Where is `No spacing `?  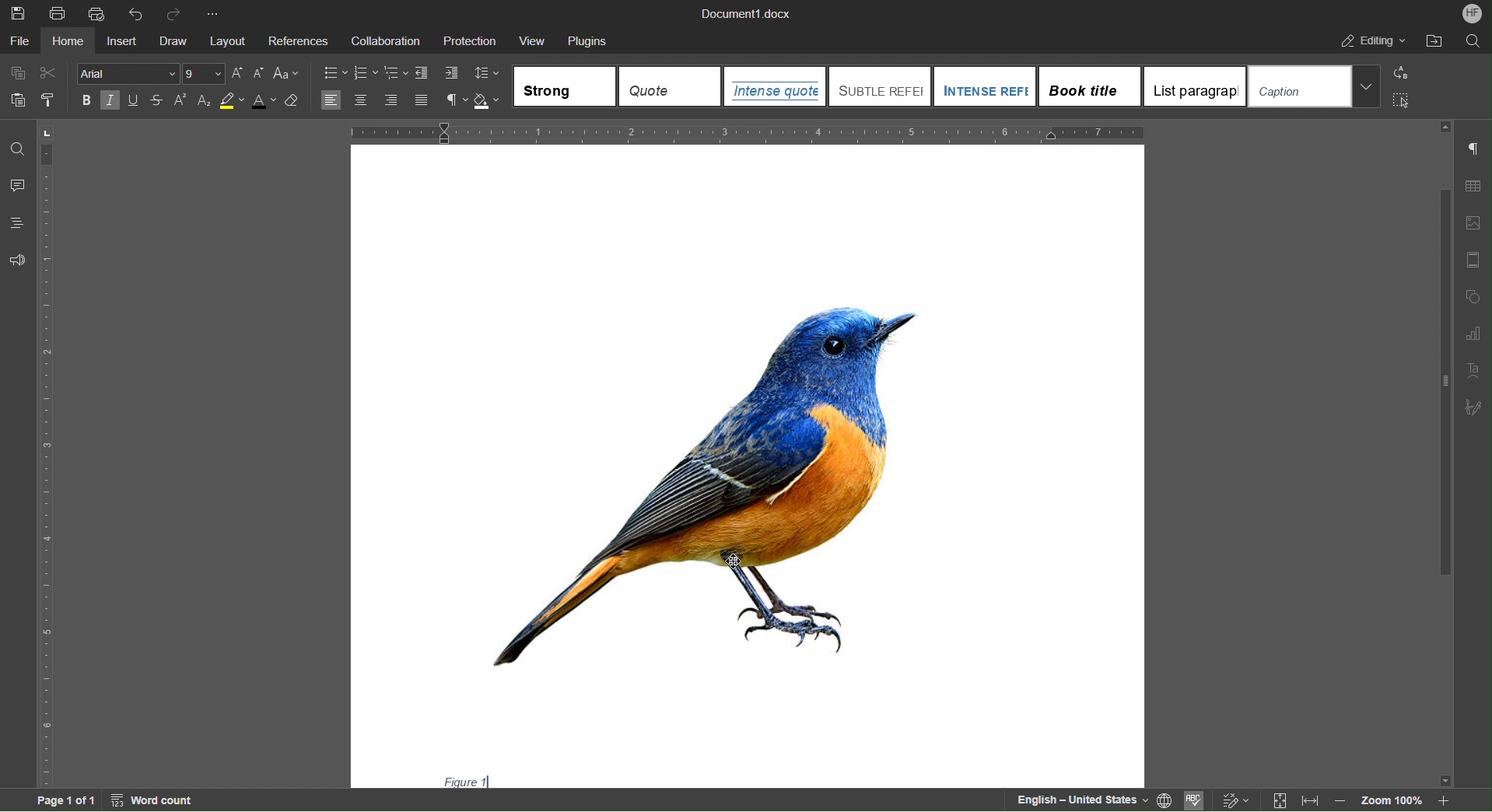 No spacing  is located at coordinates (670, 86).